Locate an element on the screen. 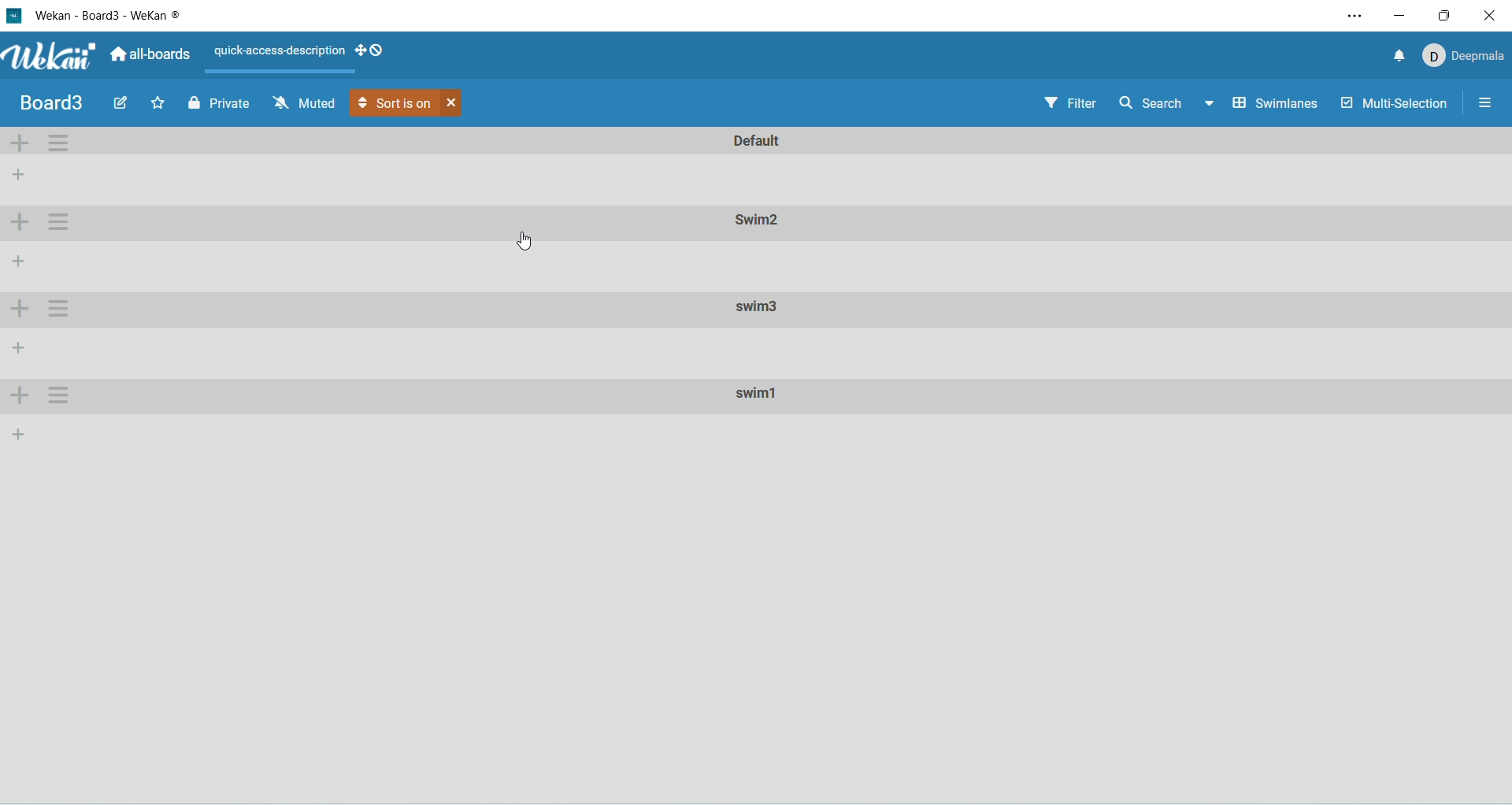 This screenshot has height=805, width=1512. add swimlane is located at coordinates (18, 143).